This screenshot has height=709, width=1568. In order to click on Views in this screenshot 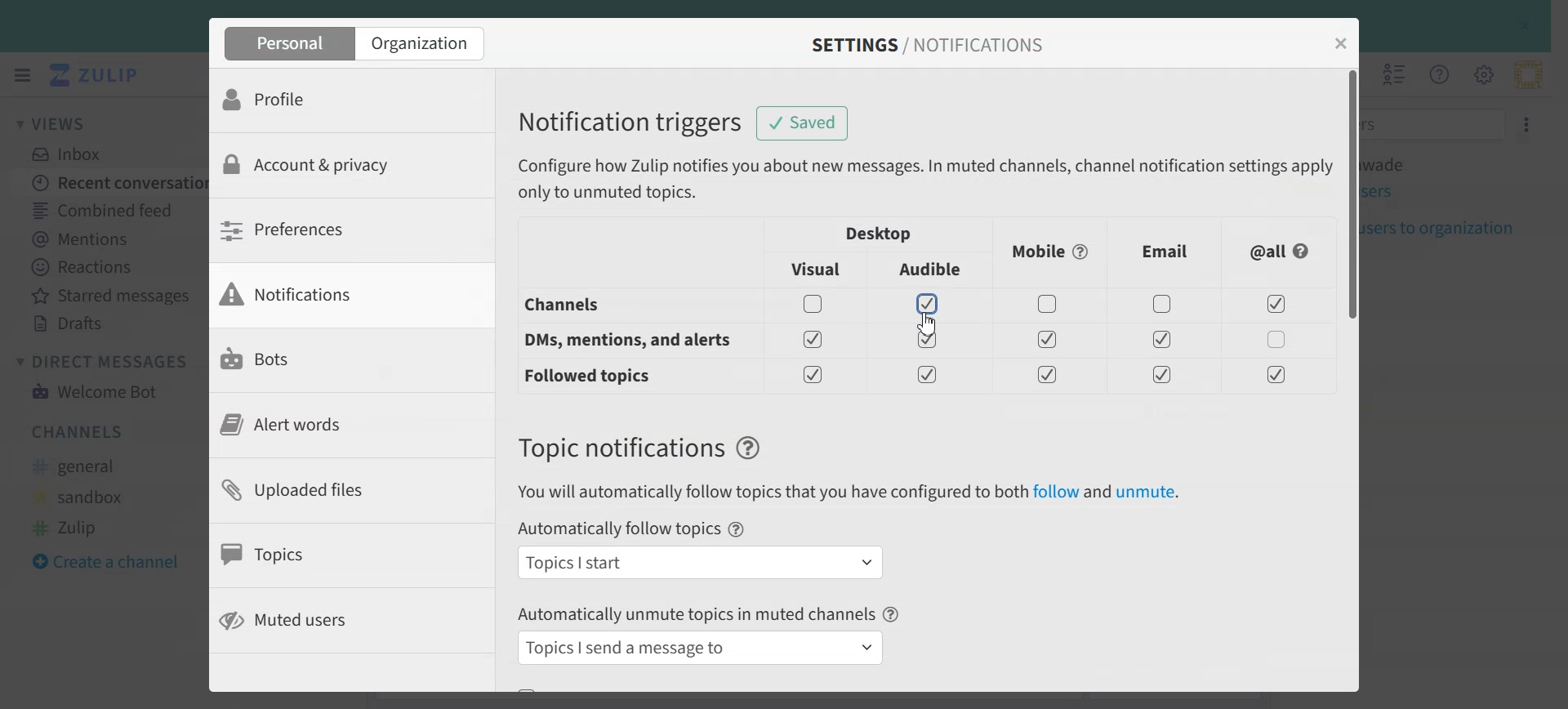, I will do `click(60, 123)`.